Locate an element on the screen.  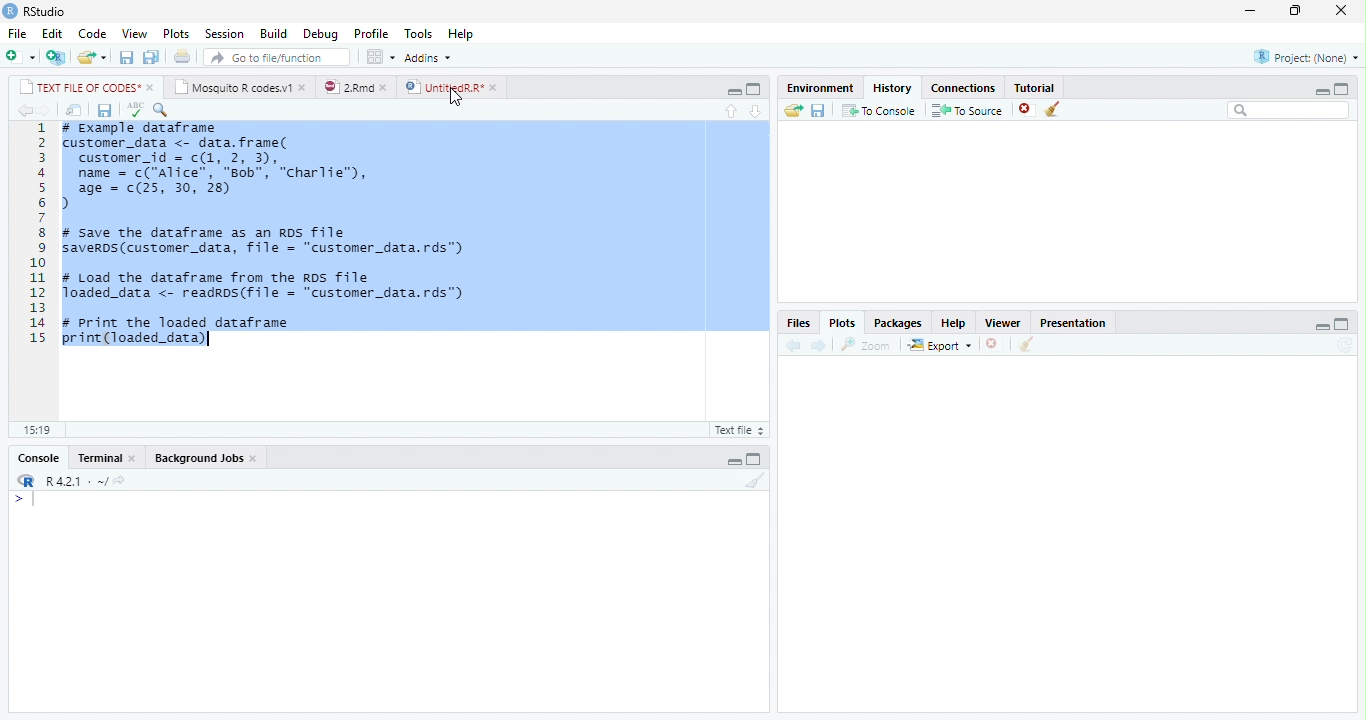
Console is located at coordinates (39, 458).